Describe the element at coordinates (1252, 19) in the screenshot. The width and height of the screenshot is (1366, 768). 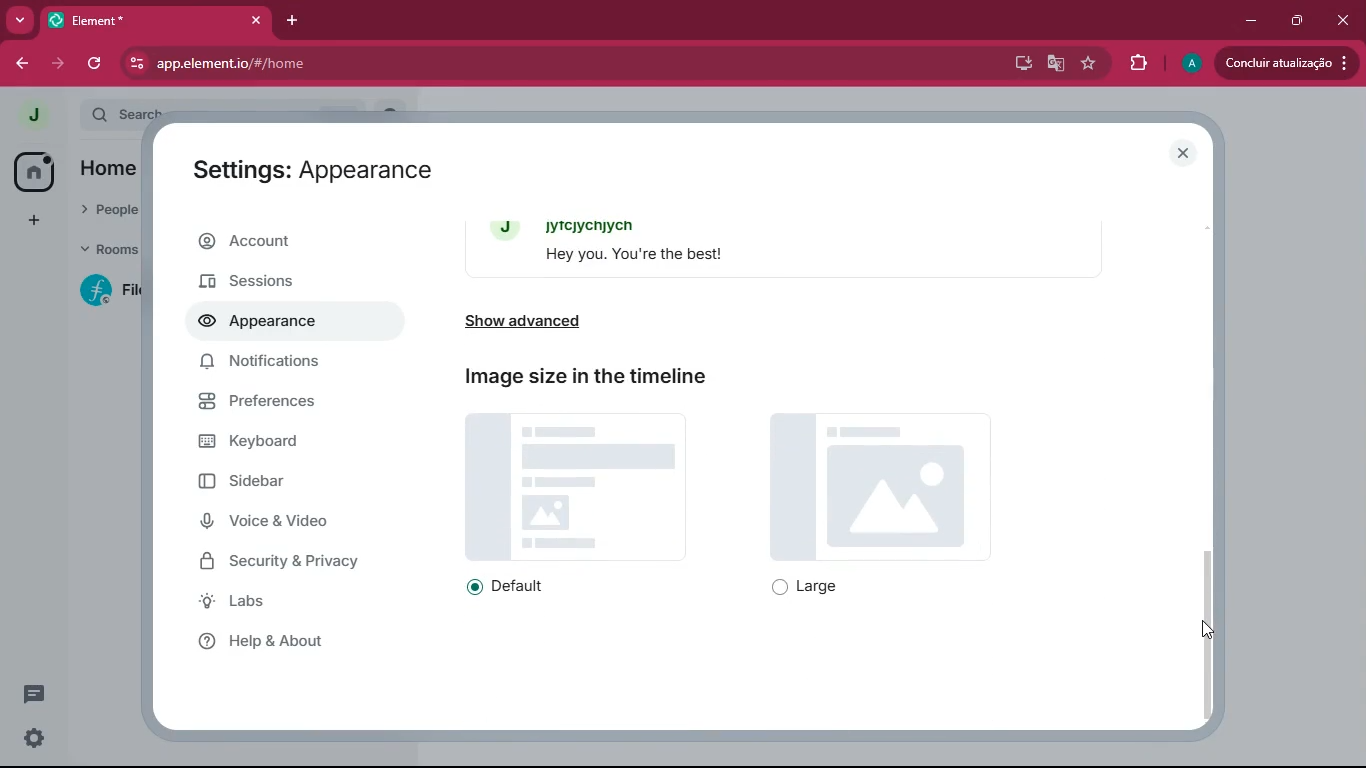
I see `minimize` at that location.